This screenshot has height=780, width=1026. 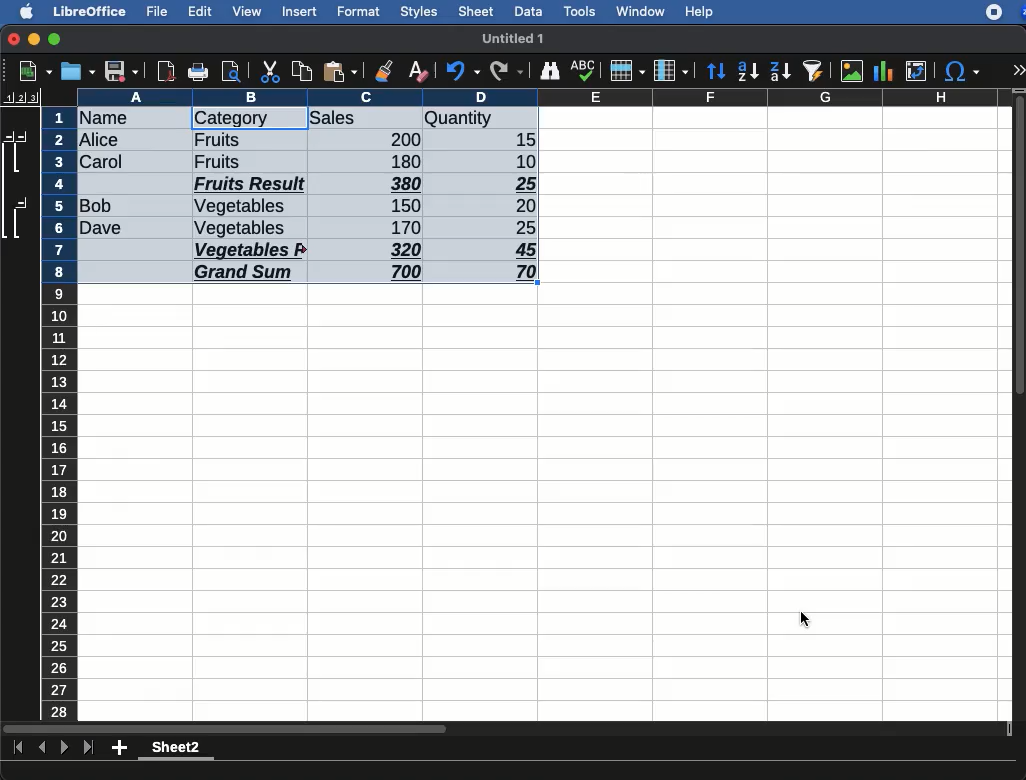 I want to click on libreoffice, so click(x=91, y=11).